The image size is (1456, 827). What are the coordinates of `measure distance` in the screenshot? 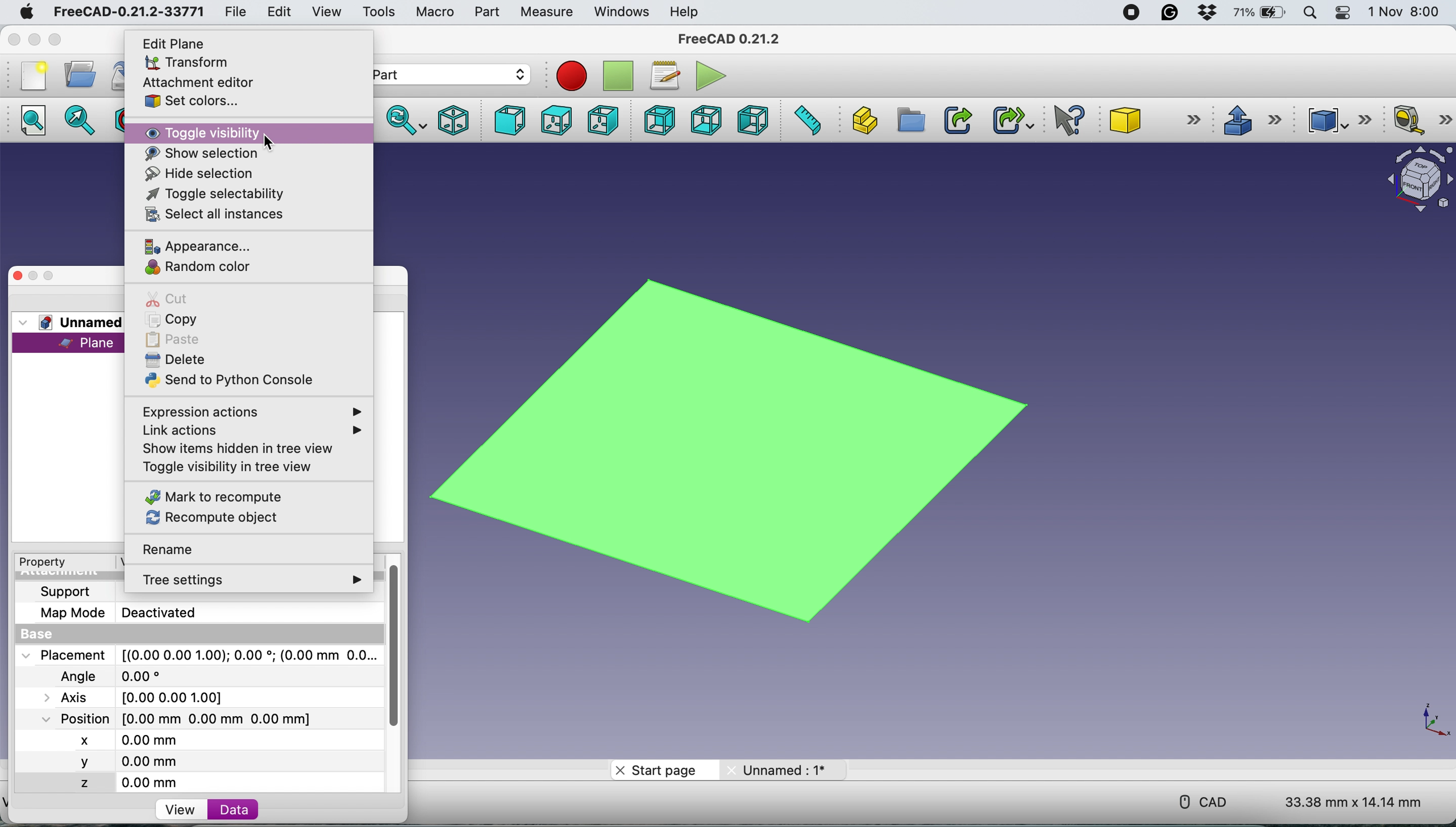 It's located at (806, 121).